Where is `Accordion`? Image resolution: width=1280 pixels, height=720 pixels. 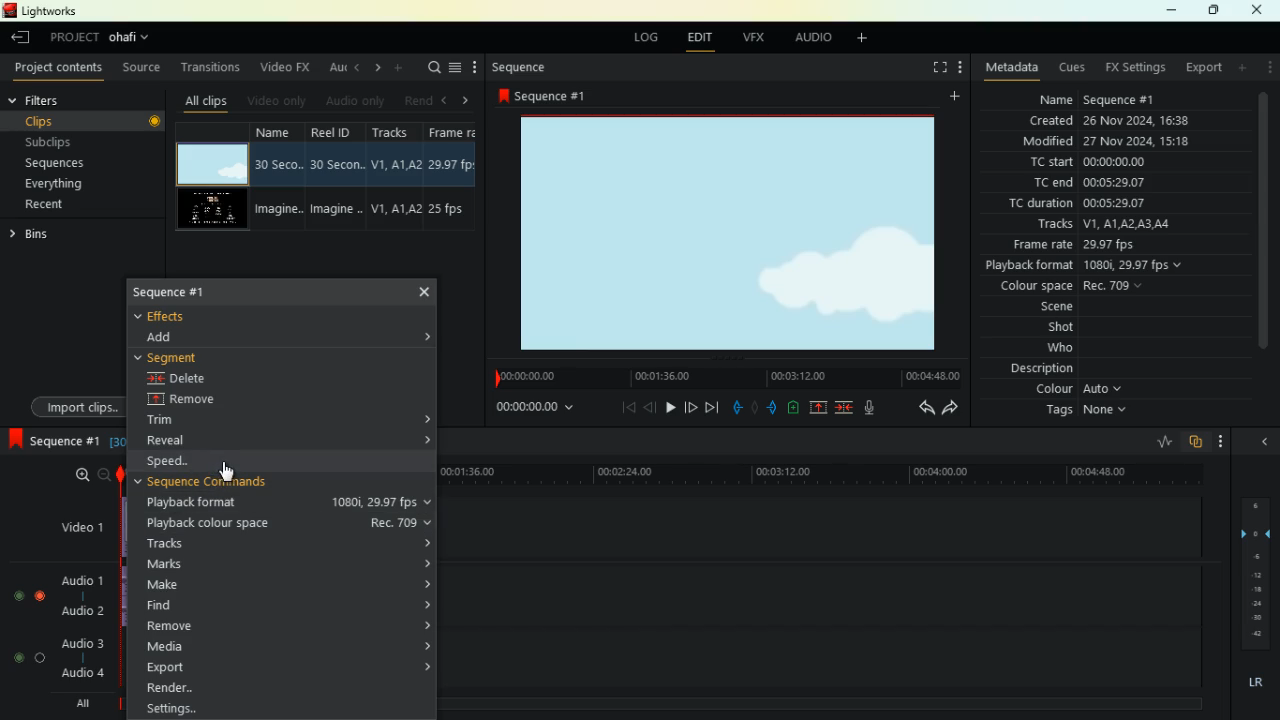 Accordion is located at coordinates (425, 337).